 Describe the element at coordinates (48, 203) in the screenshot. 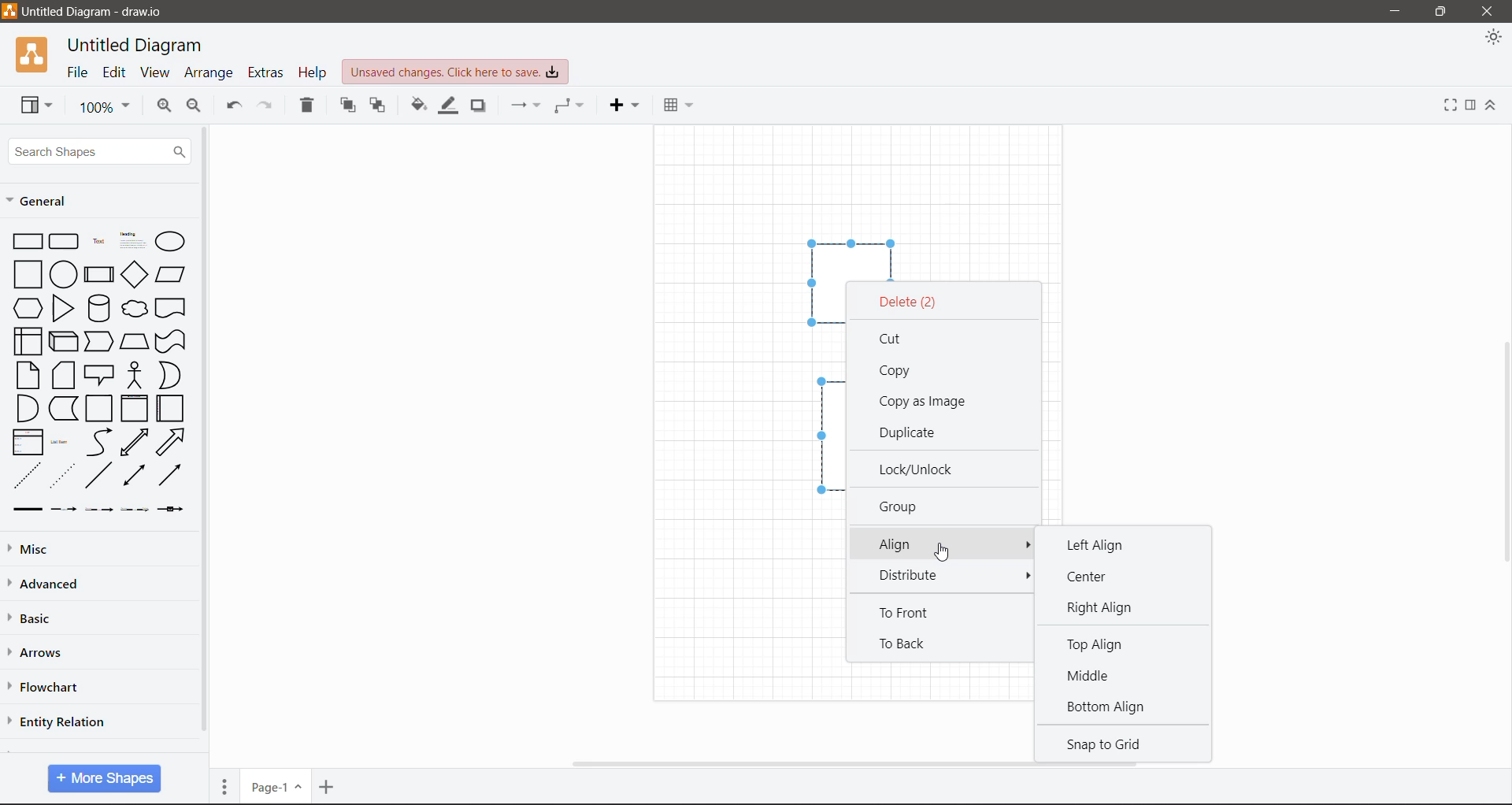

I see `General` at that location.